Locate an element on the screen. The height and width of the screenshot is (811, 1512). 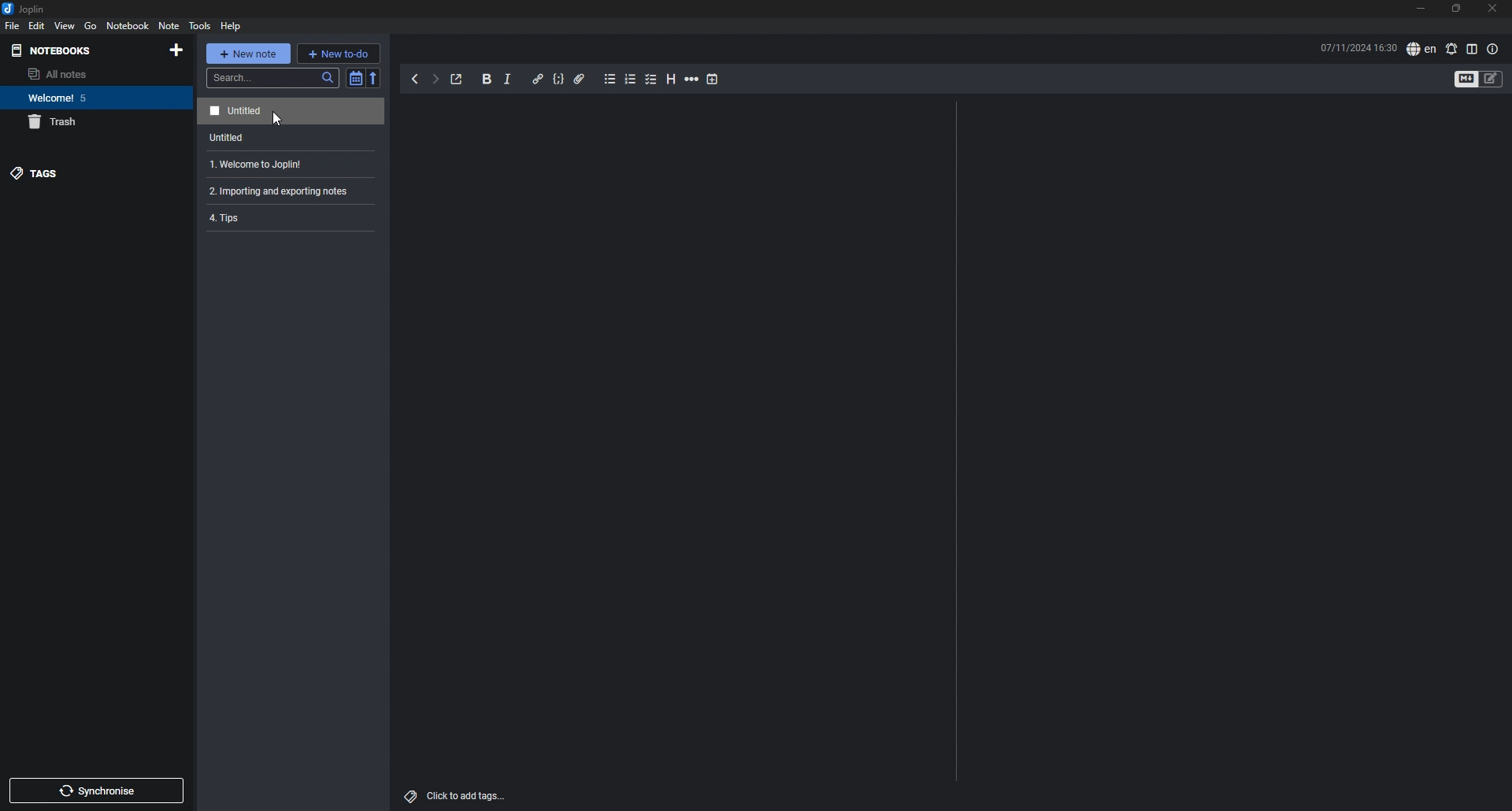
search is located at coordinates (273, 78).